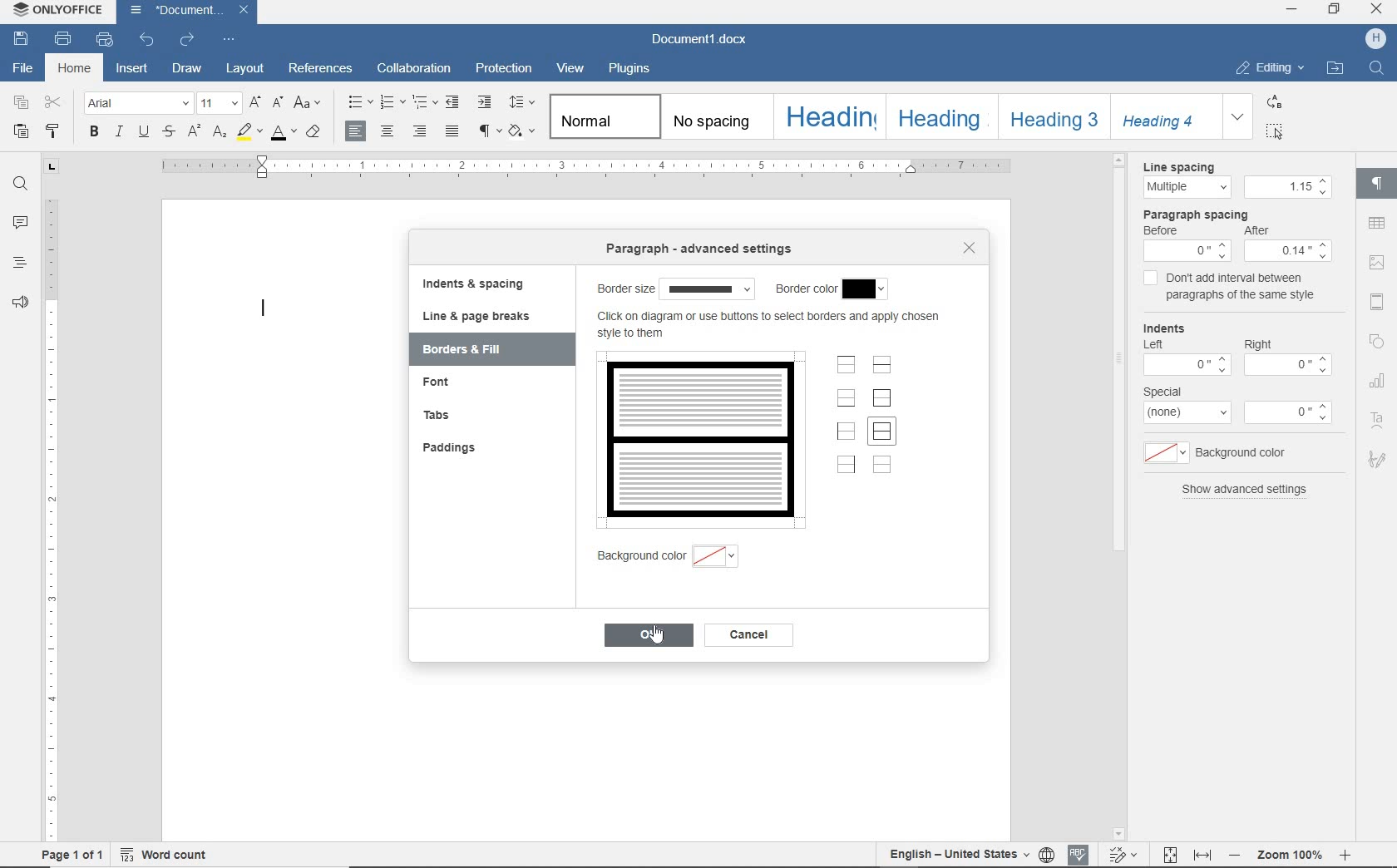 The image size is (1397, 868). Describe the element at coordinates (53, 132) in the screenshot. I see `copy style` at that location.